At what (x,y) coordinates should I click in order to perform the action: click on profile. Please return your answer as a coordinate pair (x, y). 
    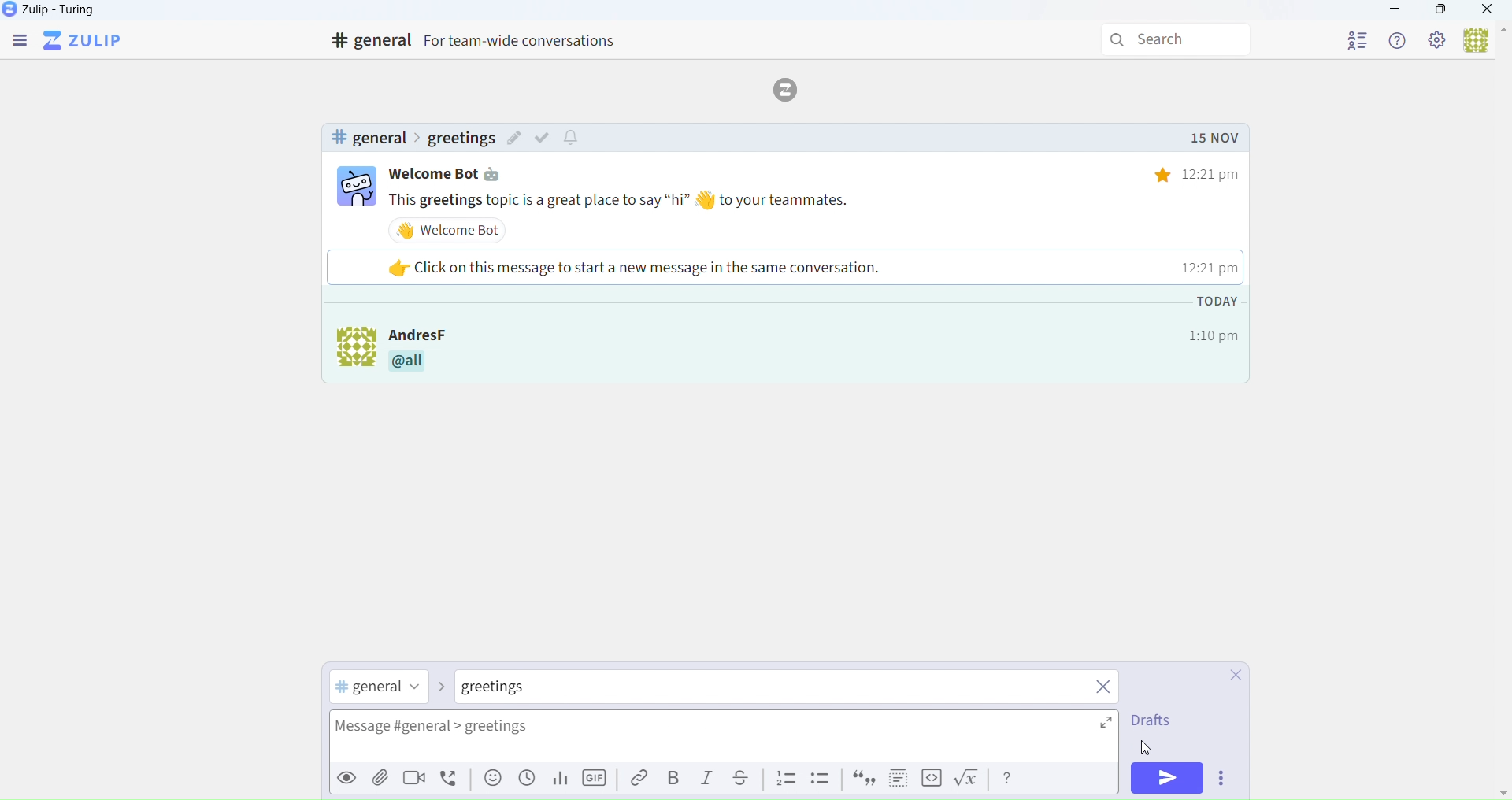
    Looking at the image, I should click on (1358, 38).